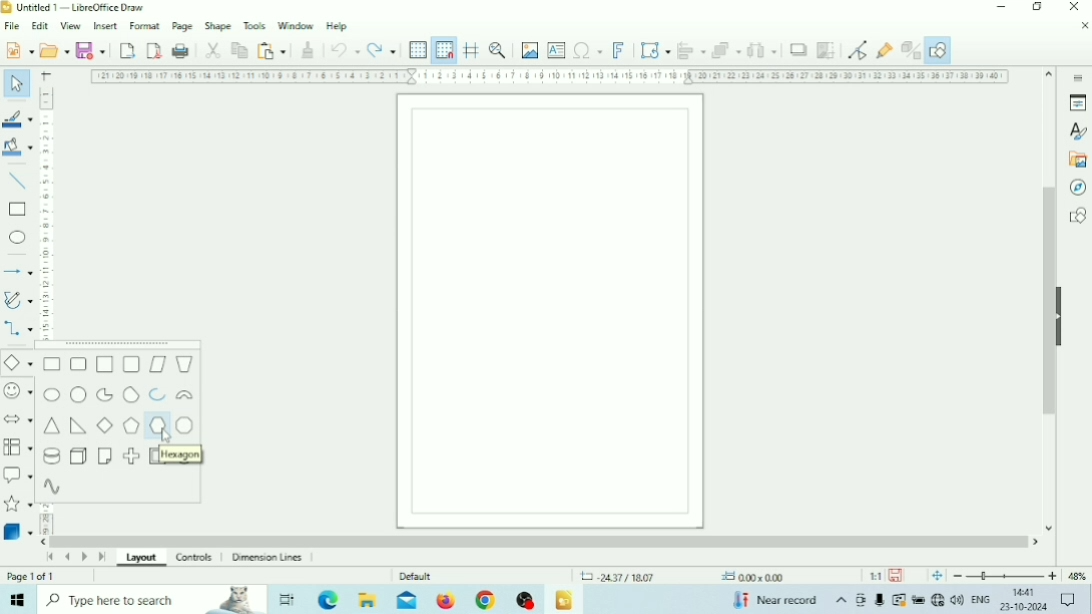  Describe the element at coordinates (884, 51) in the screenshot. I see `Show Gluepoint Functions` at that location.